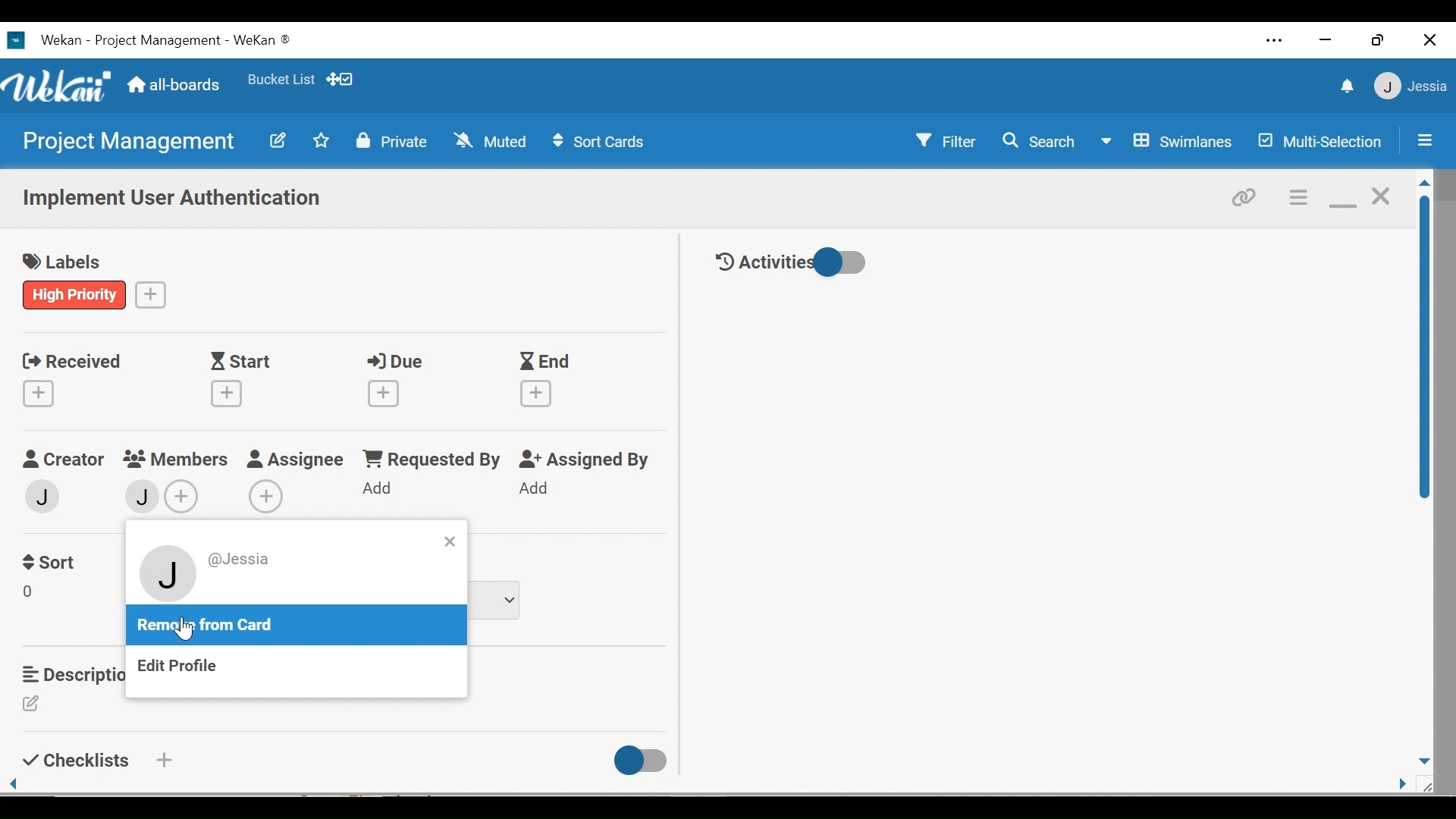 The image size is (1456, 819). What do you see at coordinates (60, 86) in the screenshot?
I see `Wekan logo` at bounding box center [60, 86].